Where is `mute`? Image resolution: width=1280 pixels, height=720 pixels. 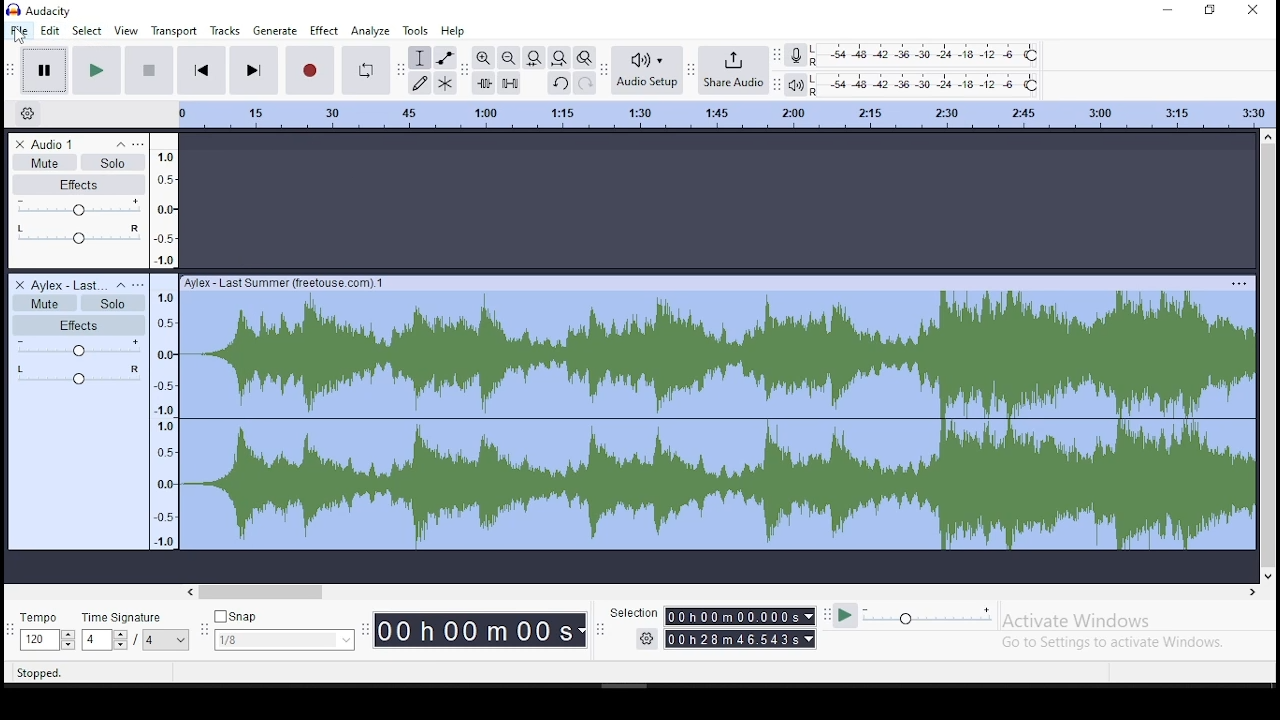 mute is located at coordinates (46, 303).